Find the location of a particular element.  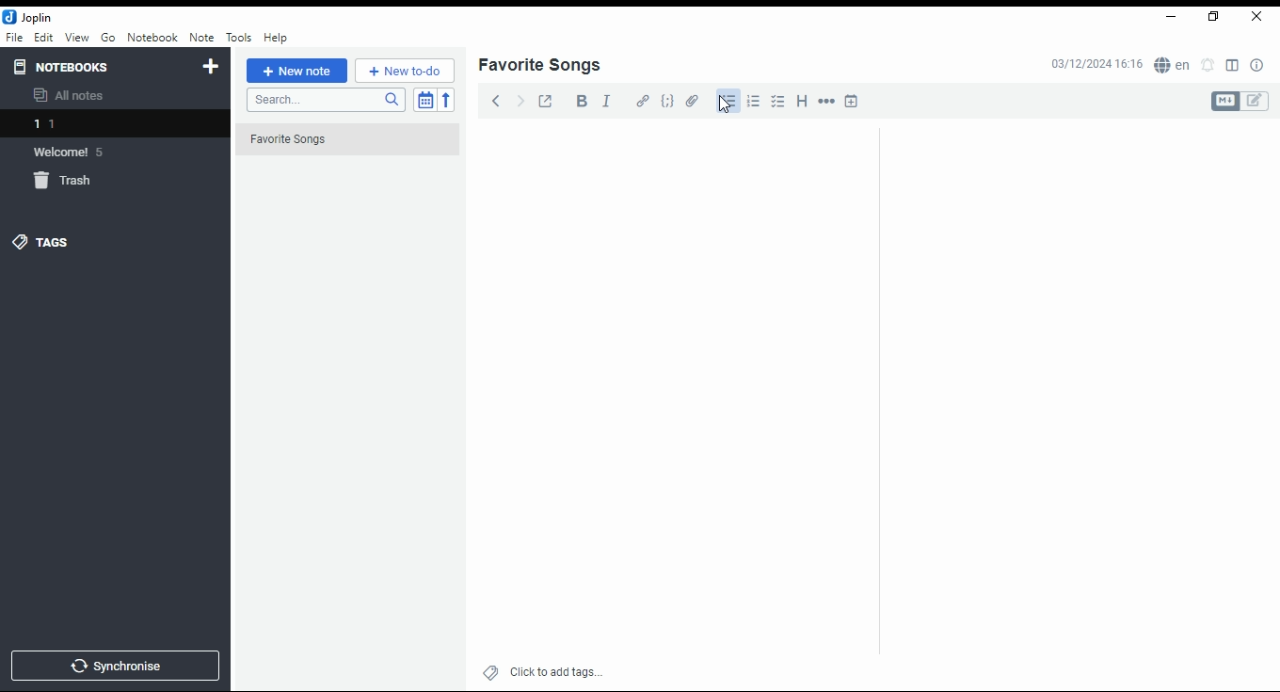

note is located at coordinates (201, 37).